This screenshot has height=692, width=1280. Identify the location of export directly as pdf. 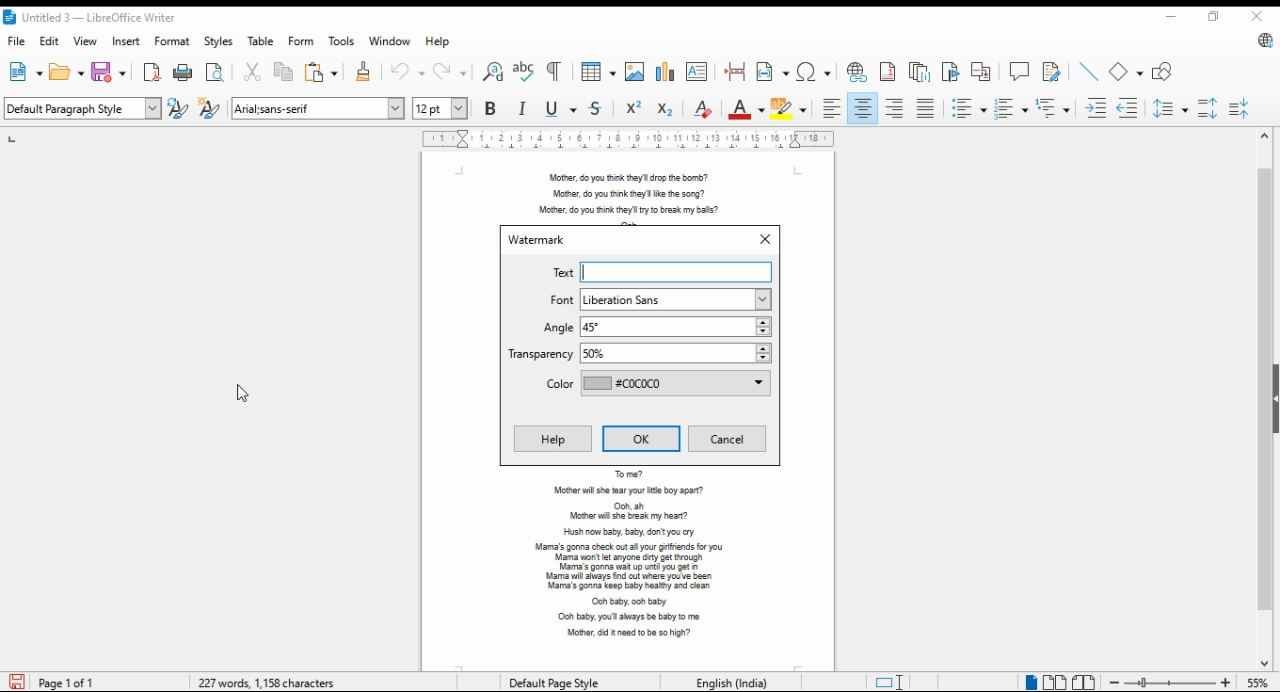
(151, 71).